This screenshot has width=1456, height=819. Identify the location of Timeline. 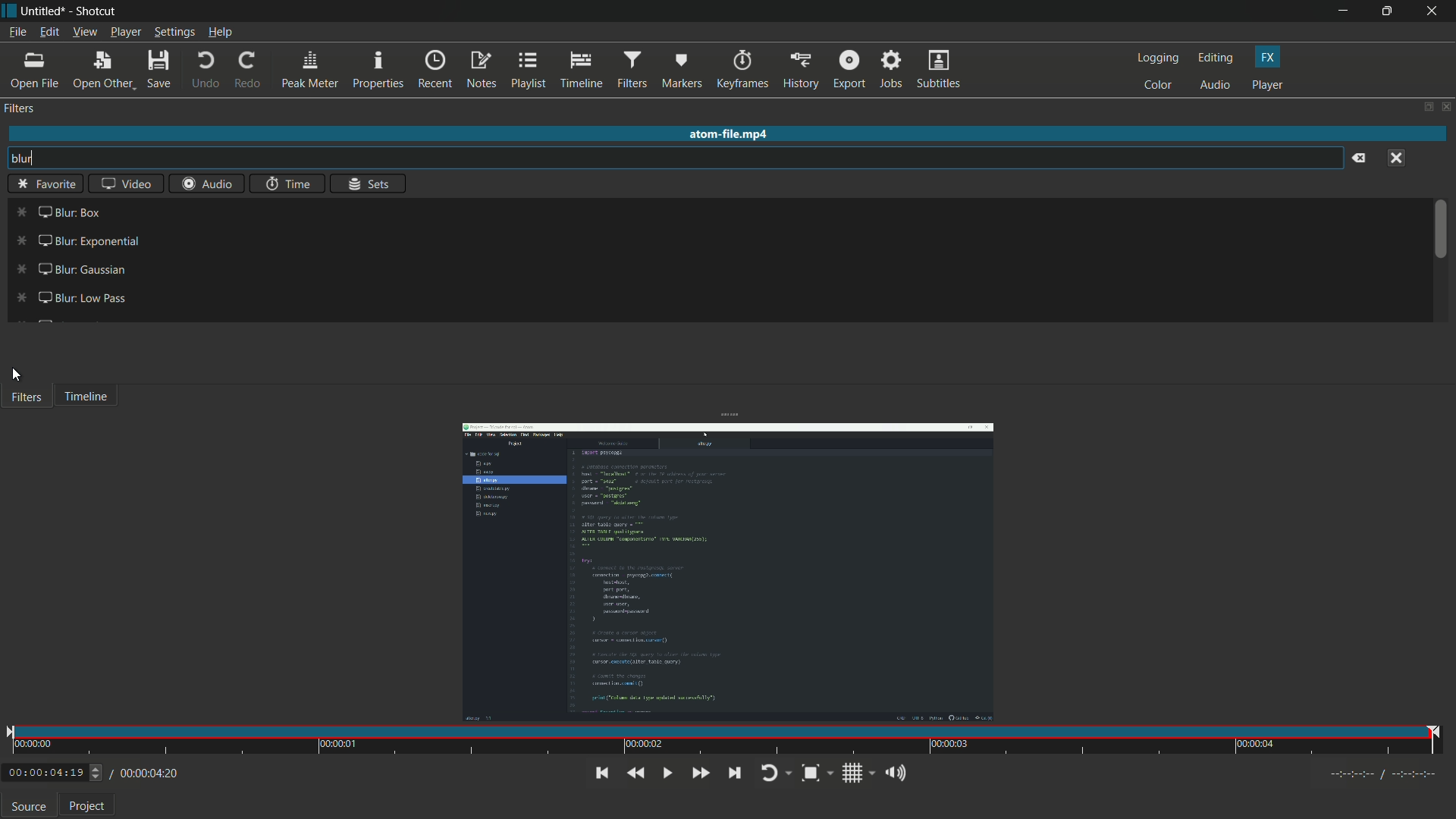
(91, 396).